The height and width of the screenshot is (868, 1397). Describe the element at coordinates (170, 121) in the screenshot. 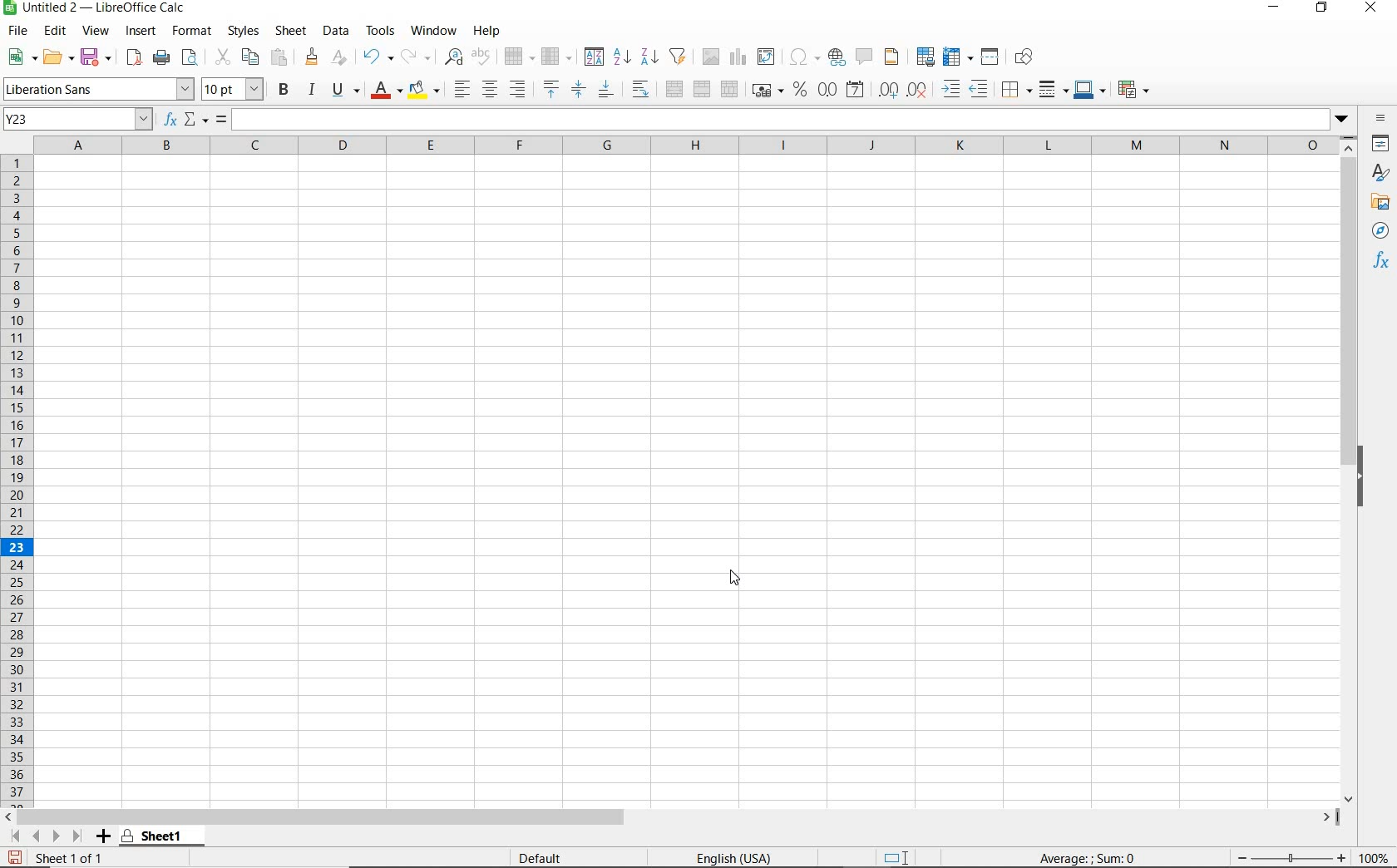

I see `FUNCTION WIZARD` at that location.